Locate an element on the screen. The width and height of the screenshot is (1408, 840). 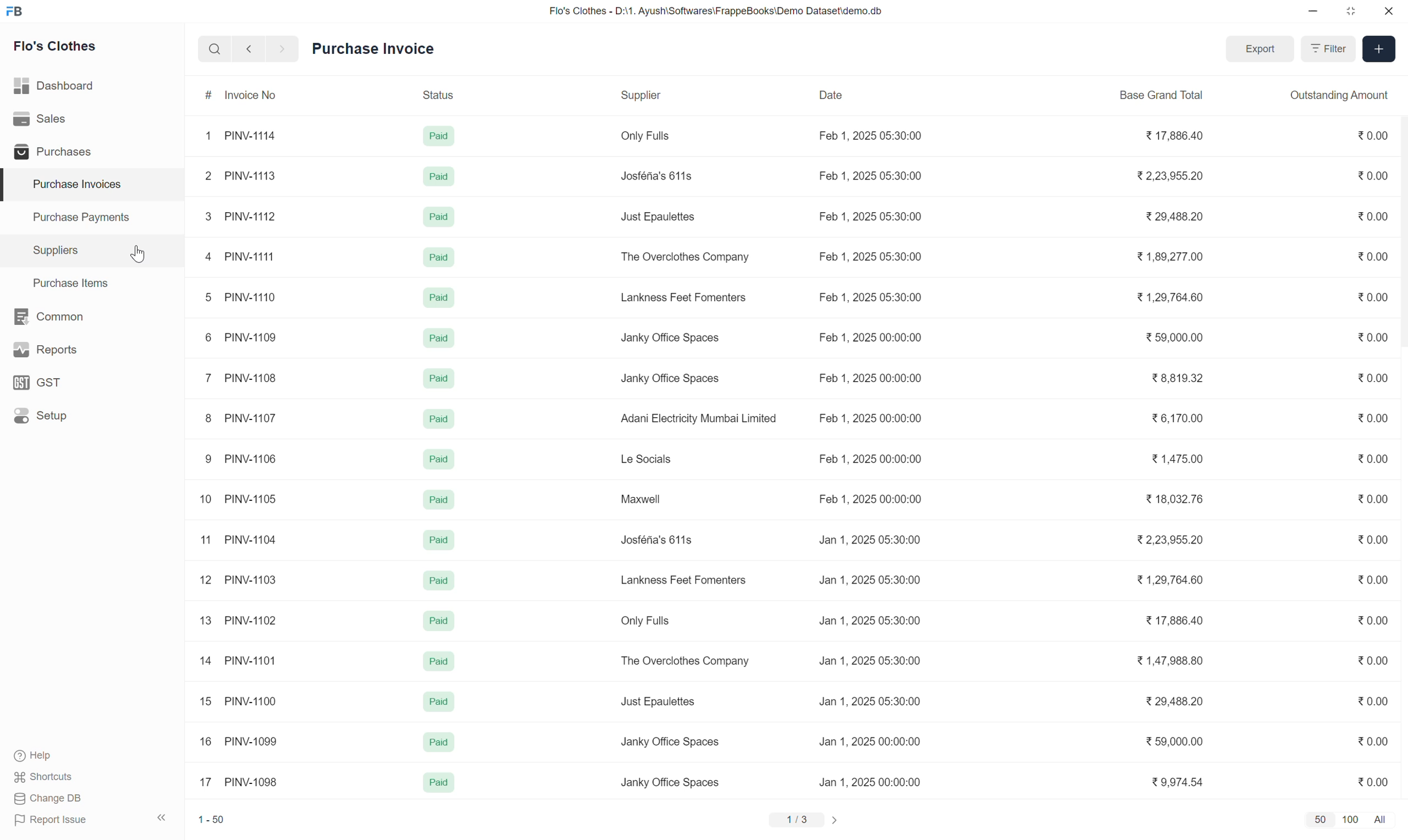
Outstanding Amount is located at coordinates (1336, 96).